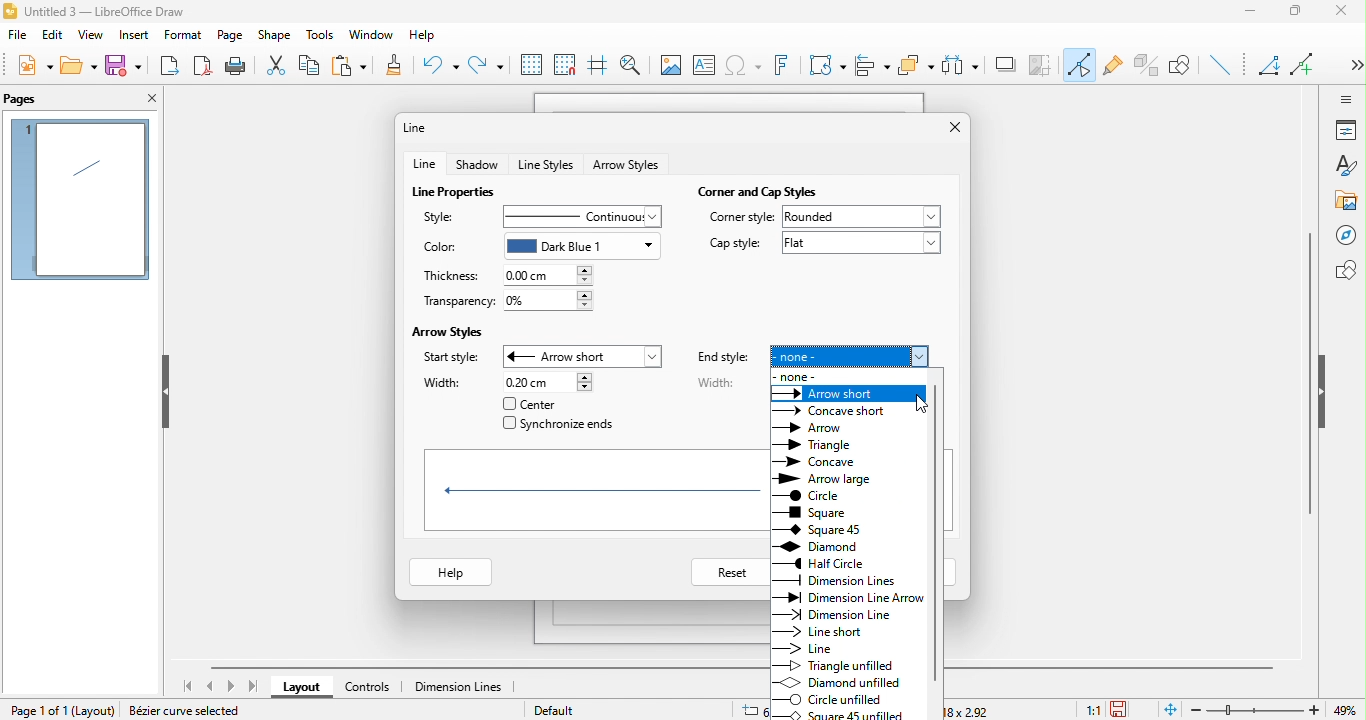 Image resolution: width=1366 pixels, height=720 pixels. I want to click on arrow styles, so click(452, 330).